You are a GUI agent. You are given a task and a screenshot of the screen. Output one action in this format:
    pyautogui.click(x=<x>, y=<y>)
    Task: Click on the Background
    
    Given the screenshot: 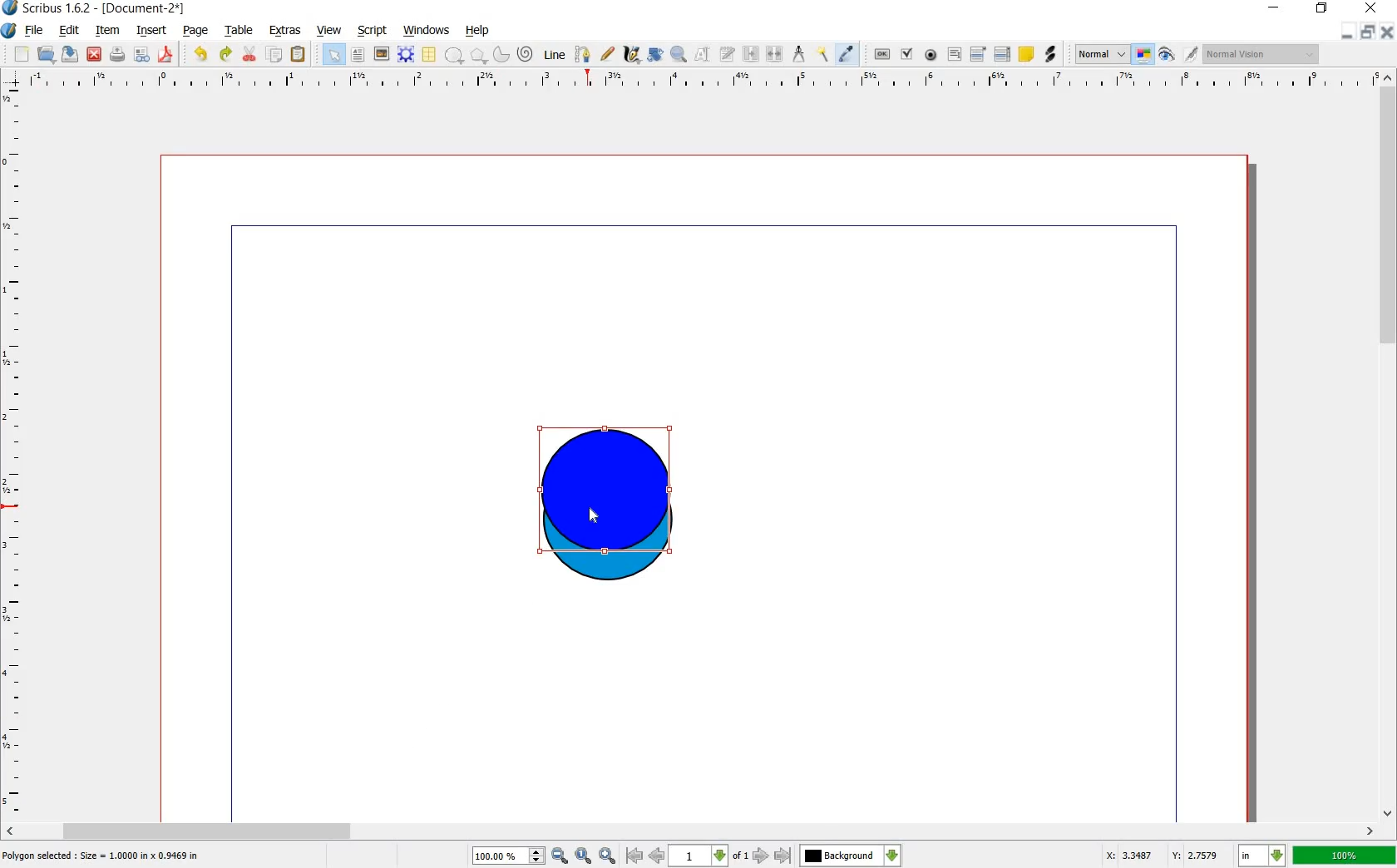 What is the action you would take?
    pyautogui.click(x=851, y=856)
    